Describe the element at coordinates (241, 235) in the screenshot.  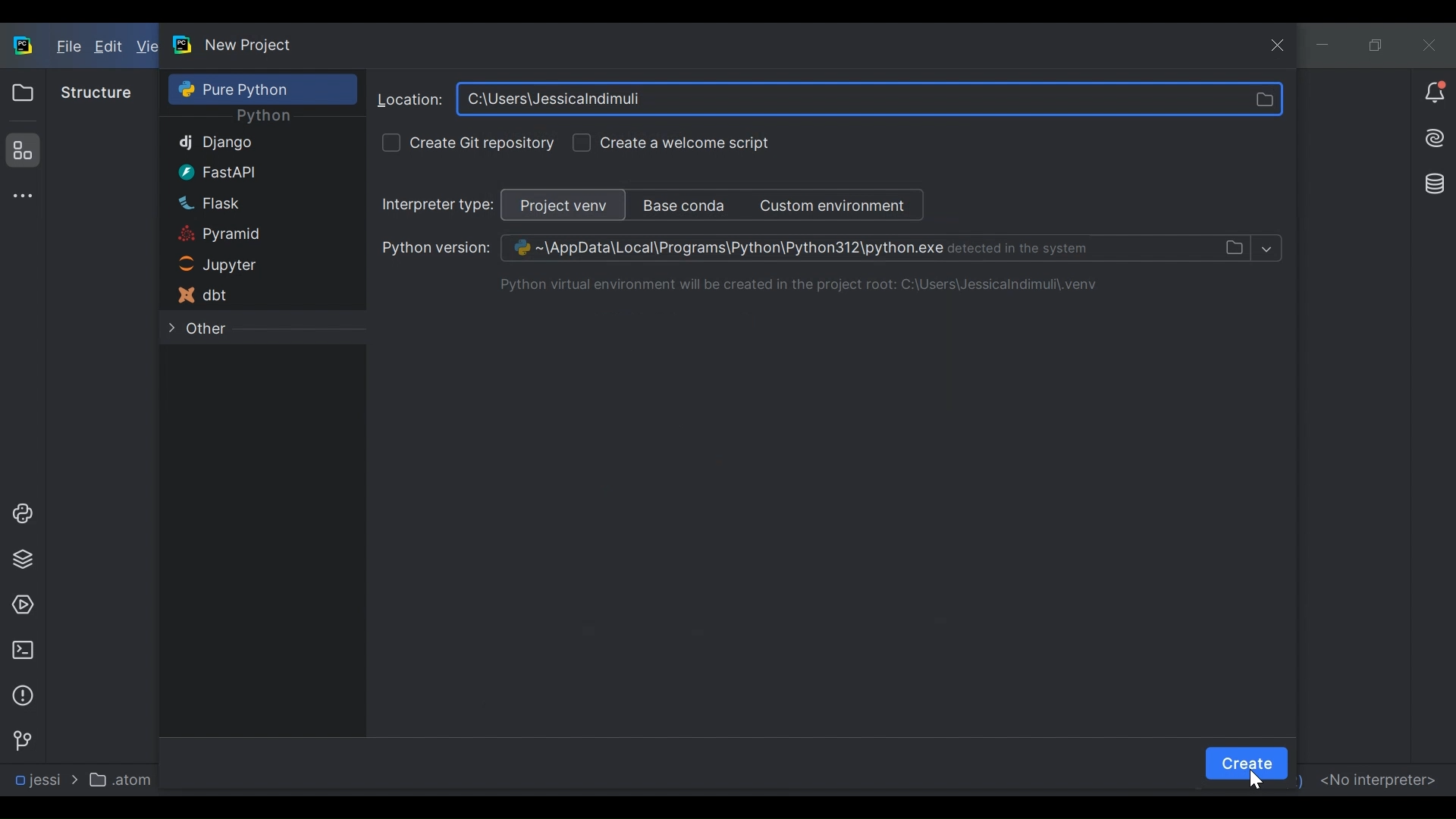
I see `Pyramid` at that location.